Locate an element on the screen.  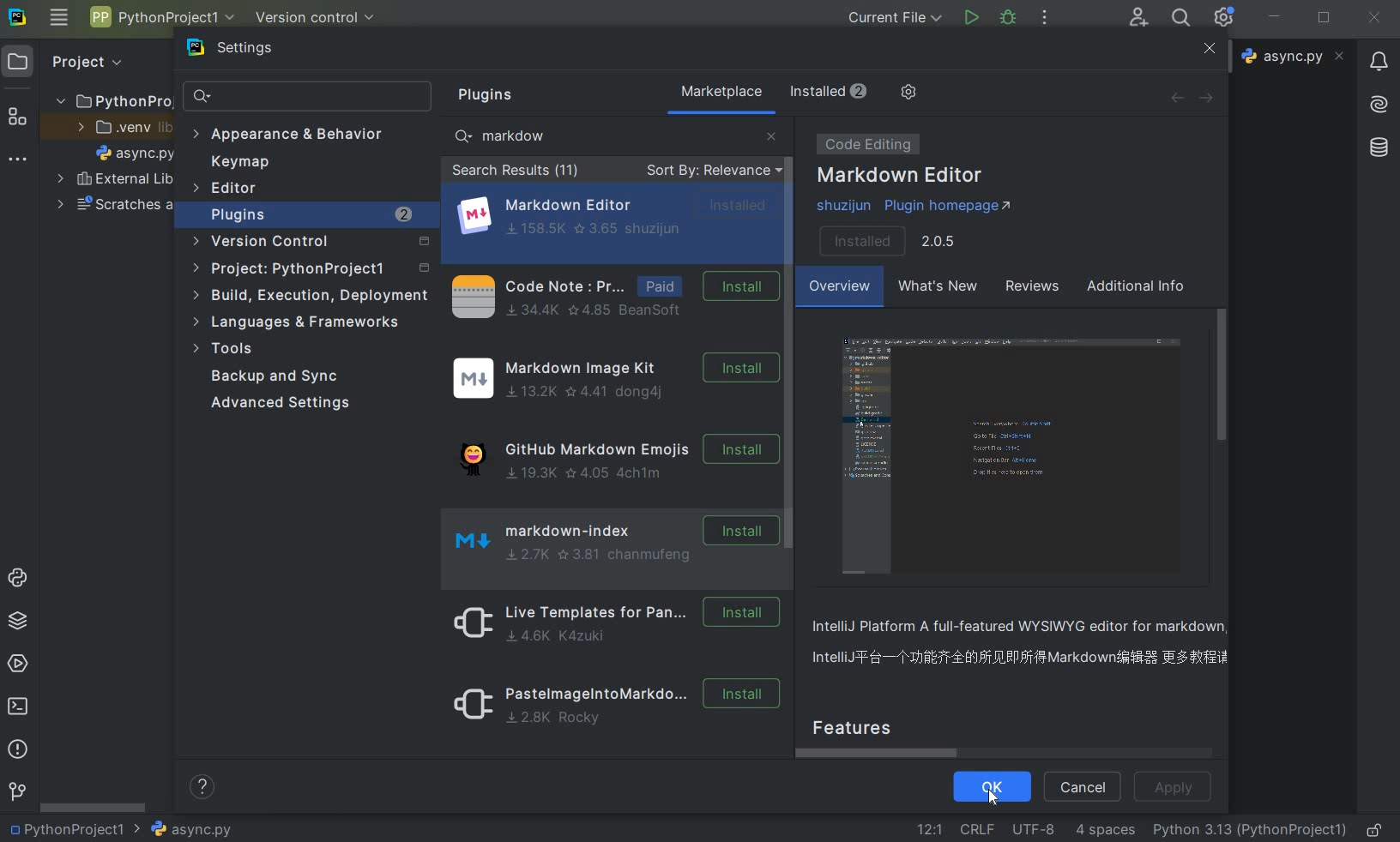
notifications is located at coordinates (1380, 63).